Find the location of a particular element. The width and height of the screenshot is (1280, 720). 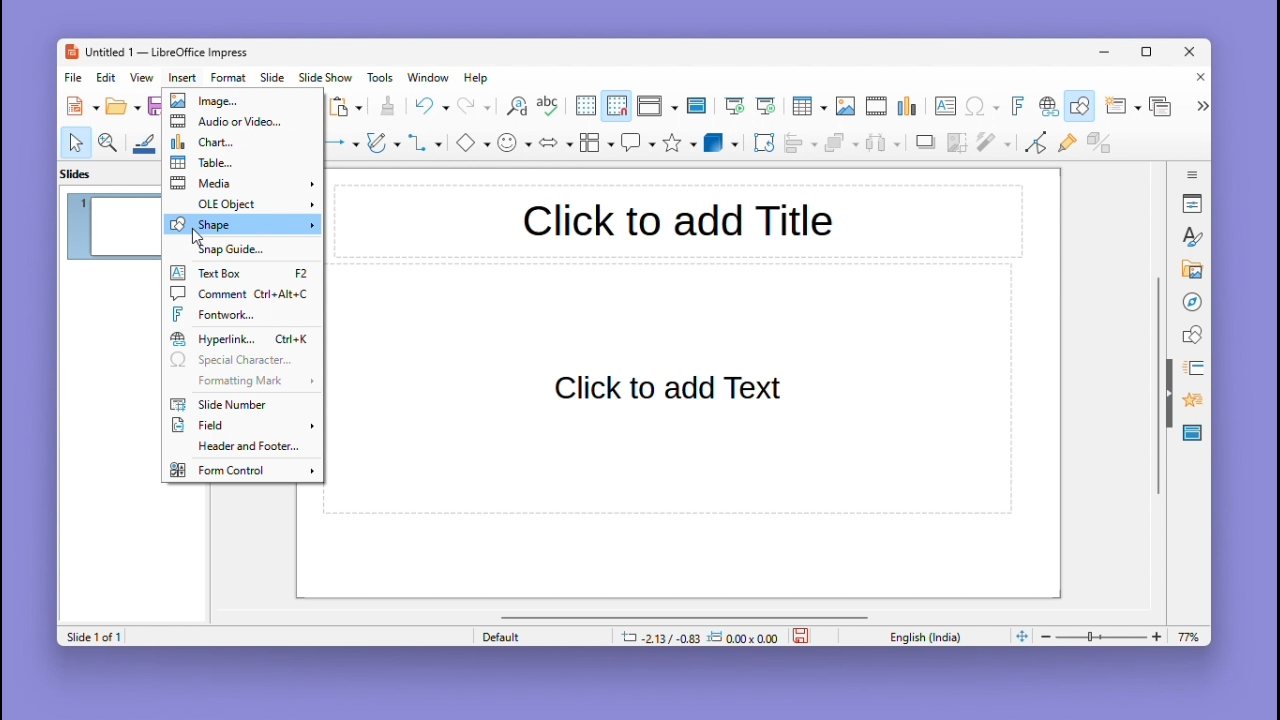

Help is located at coordinates (478, 78).